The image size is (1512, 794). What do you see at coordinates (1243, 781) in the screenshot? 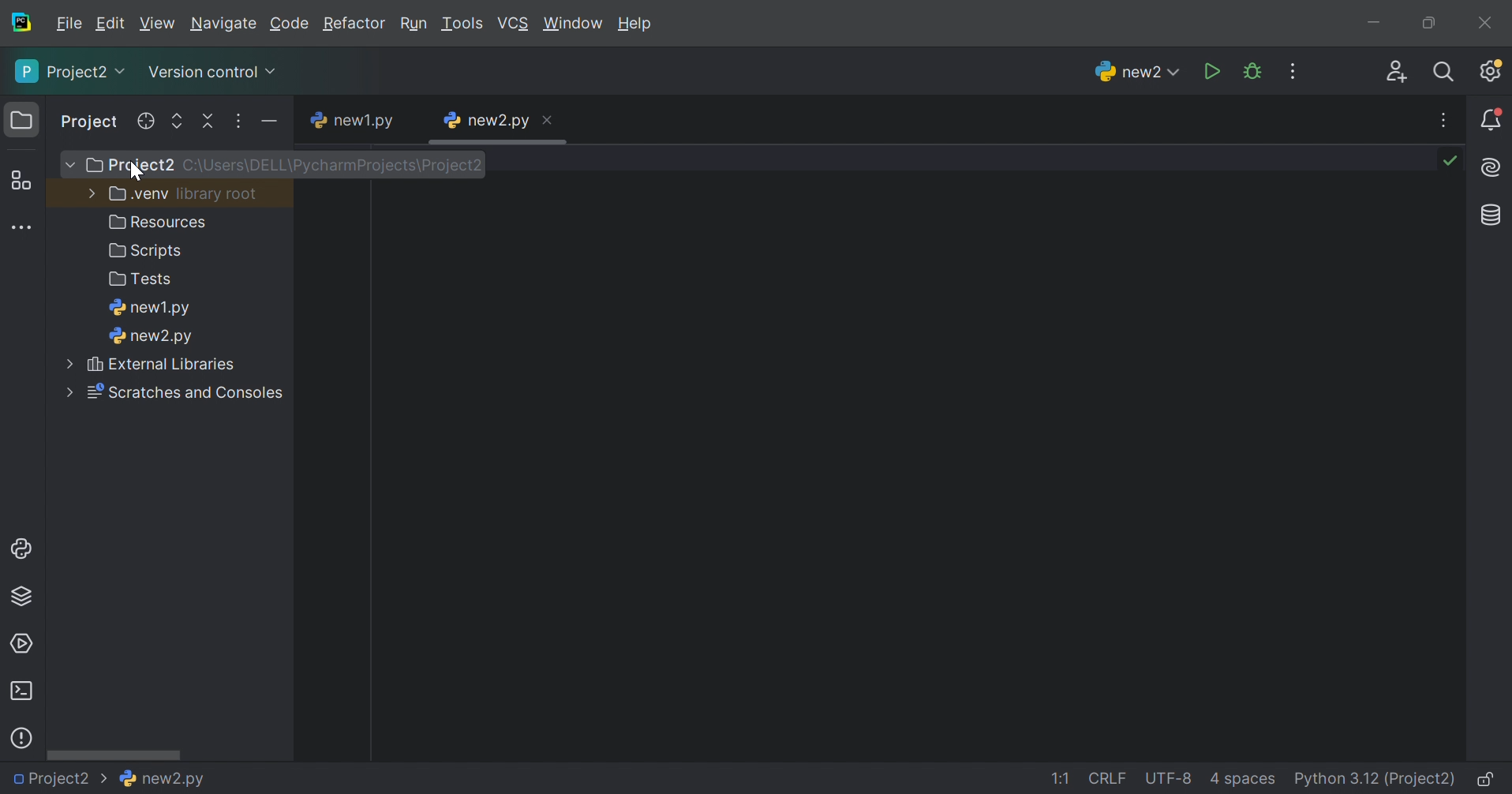
I see `4 spaces` at bounding box center [1243, 781].